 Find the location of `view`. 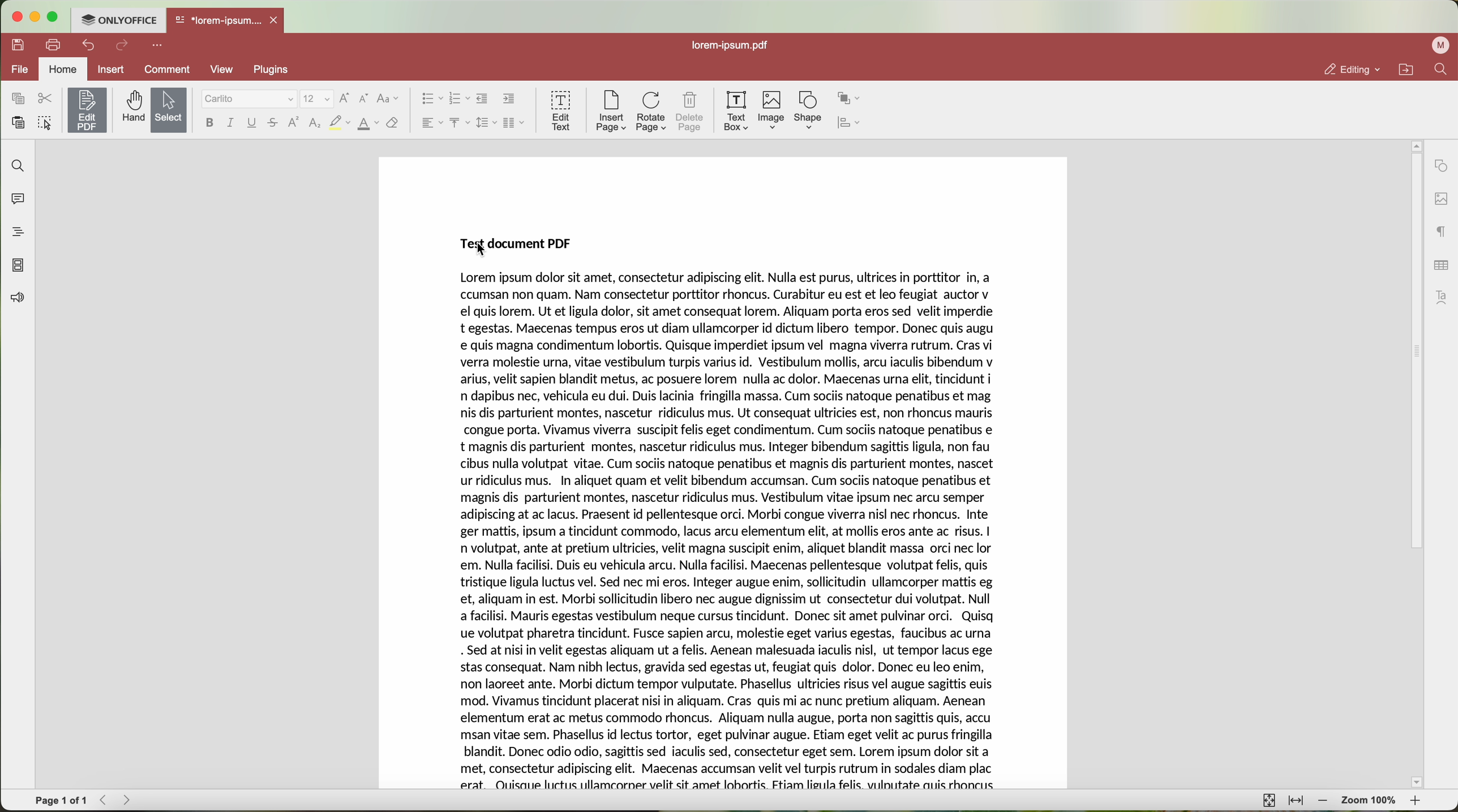

view is located at coordinates (221, 71).